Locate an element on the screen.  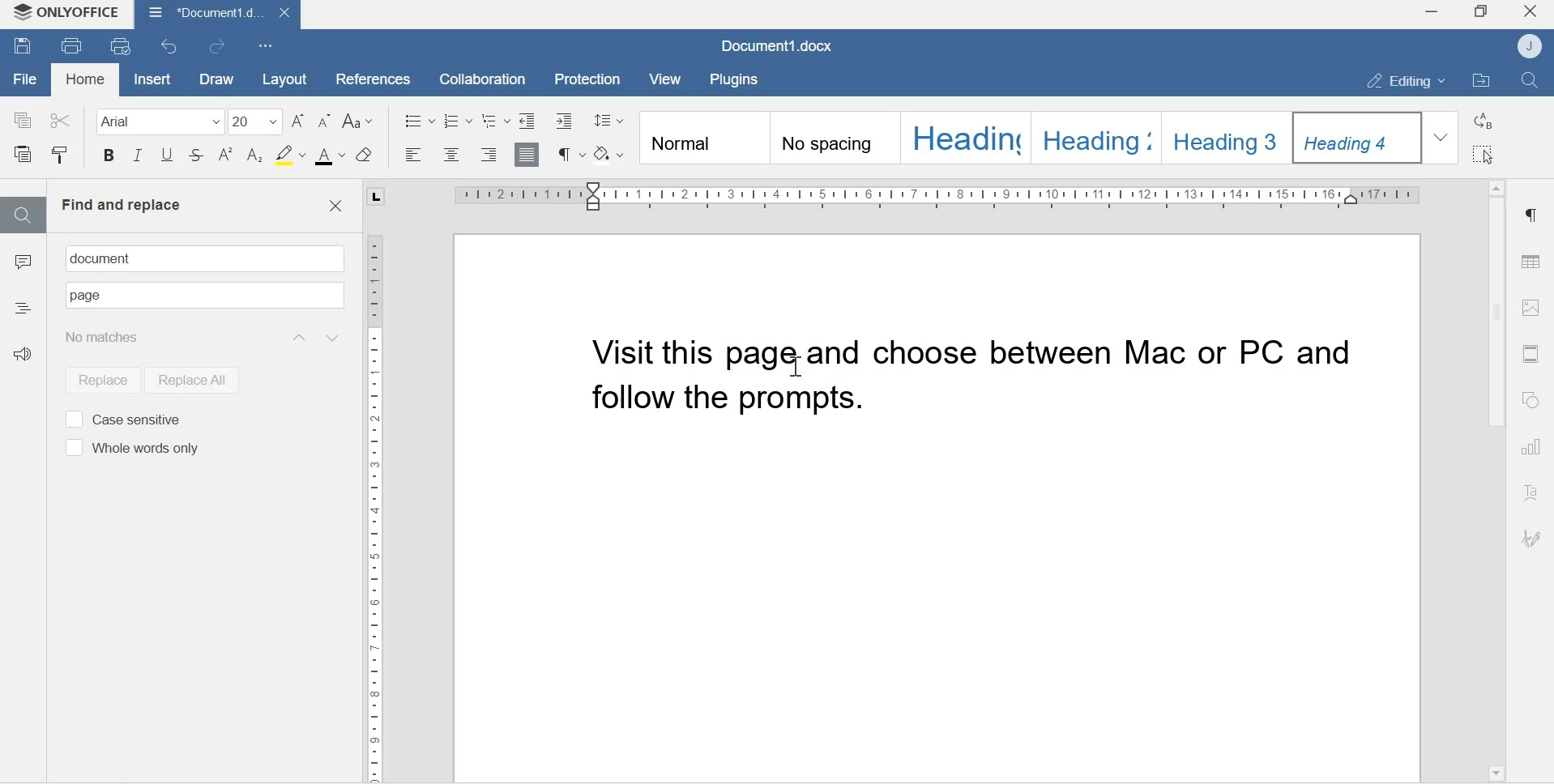
Strikethrough is located at coordinates (197, 157).